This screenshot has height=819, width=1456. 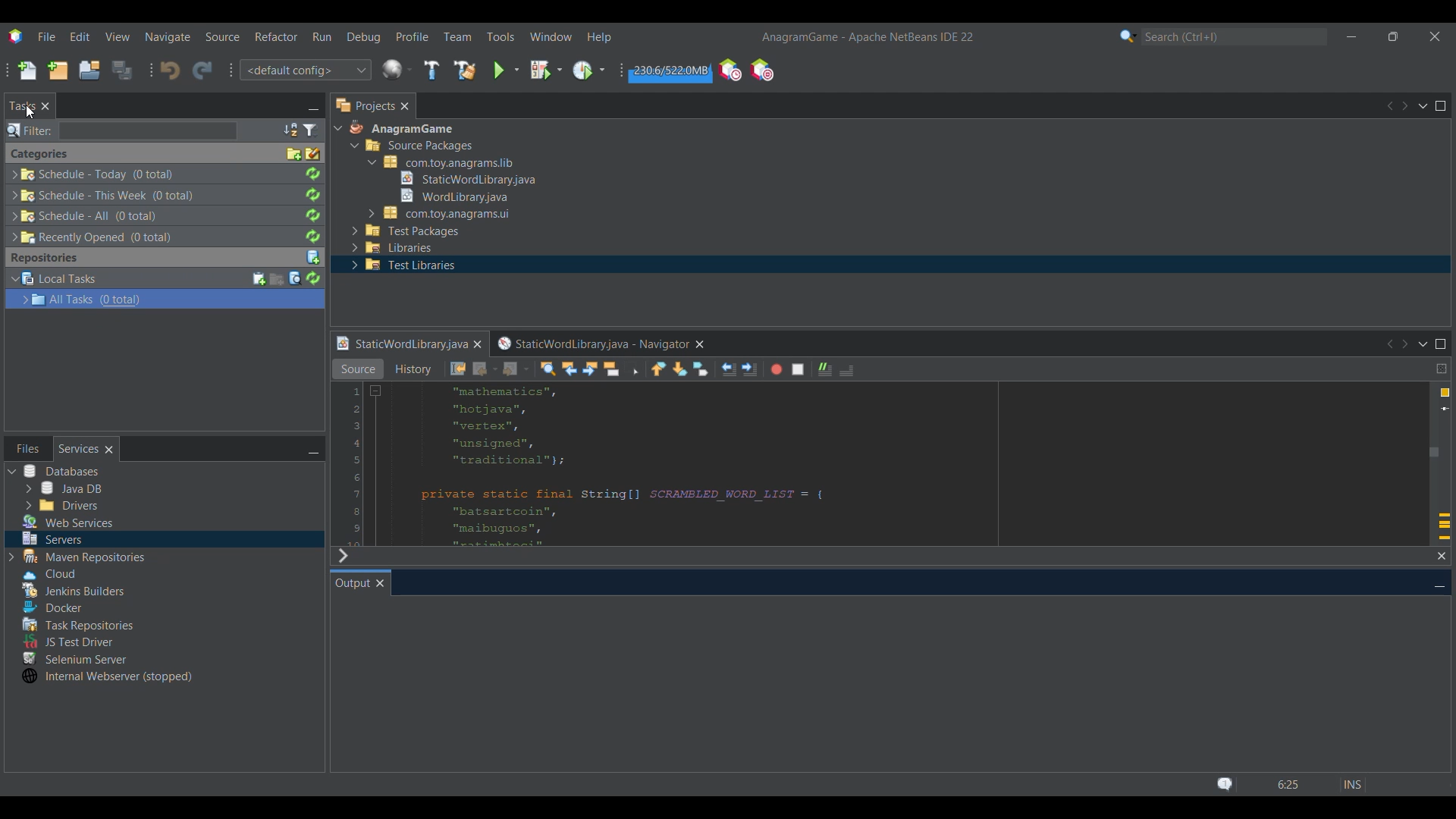 What do you see at coordinates (867, 38) in the screenshot?
I see `Software name and version` at bounding box center [867, 38].